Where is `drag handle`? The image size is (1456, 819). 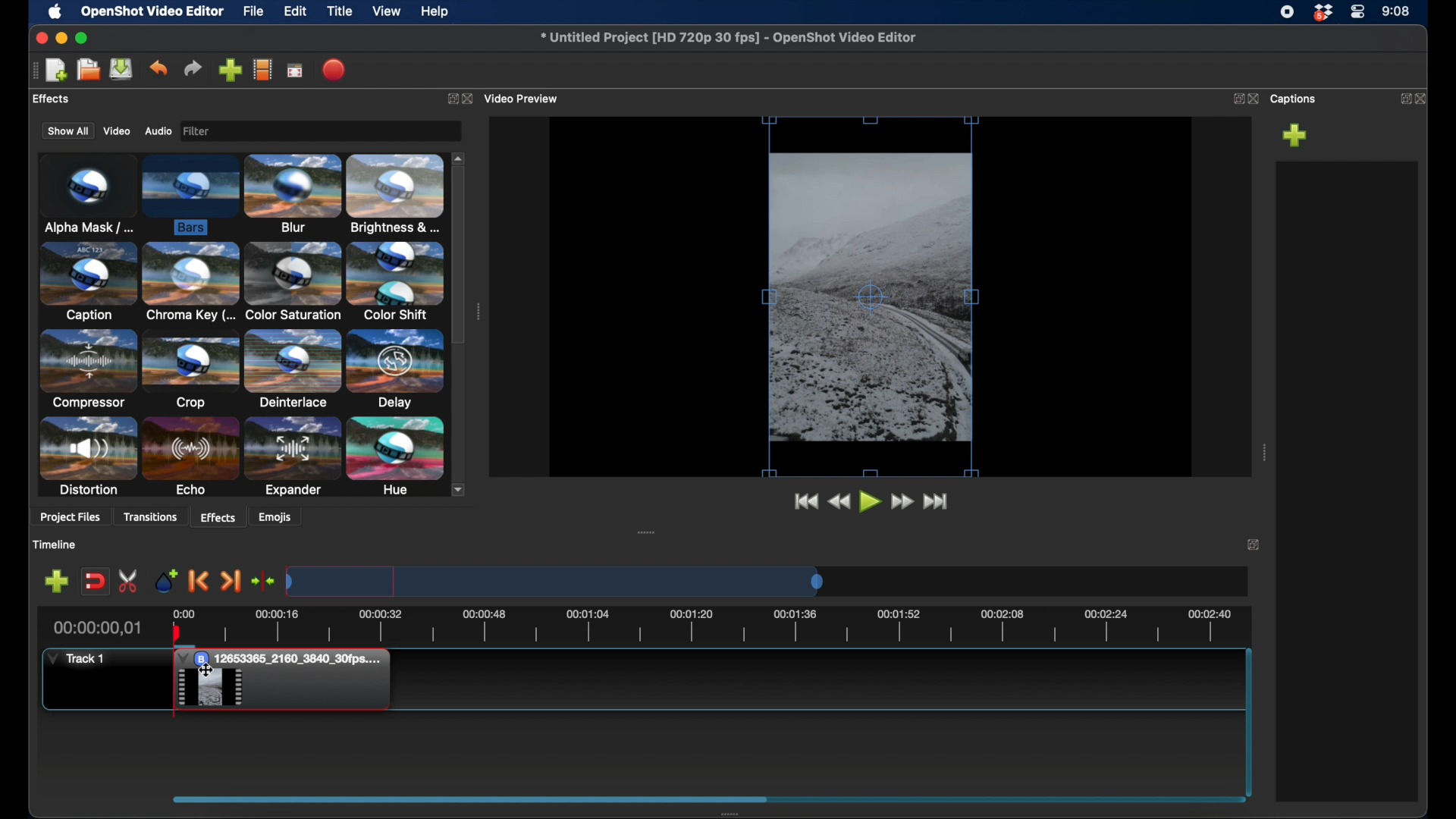
drag handle is located at coordinates (30, 71).